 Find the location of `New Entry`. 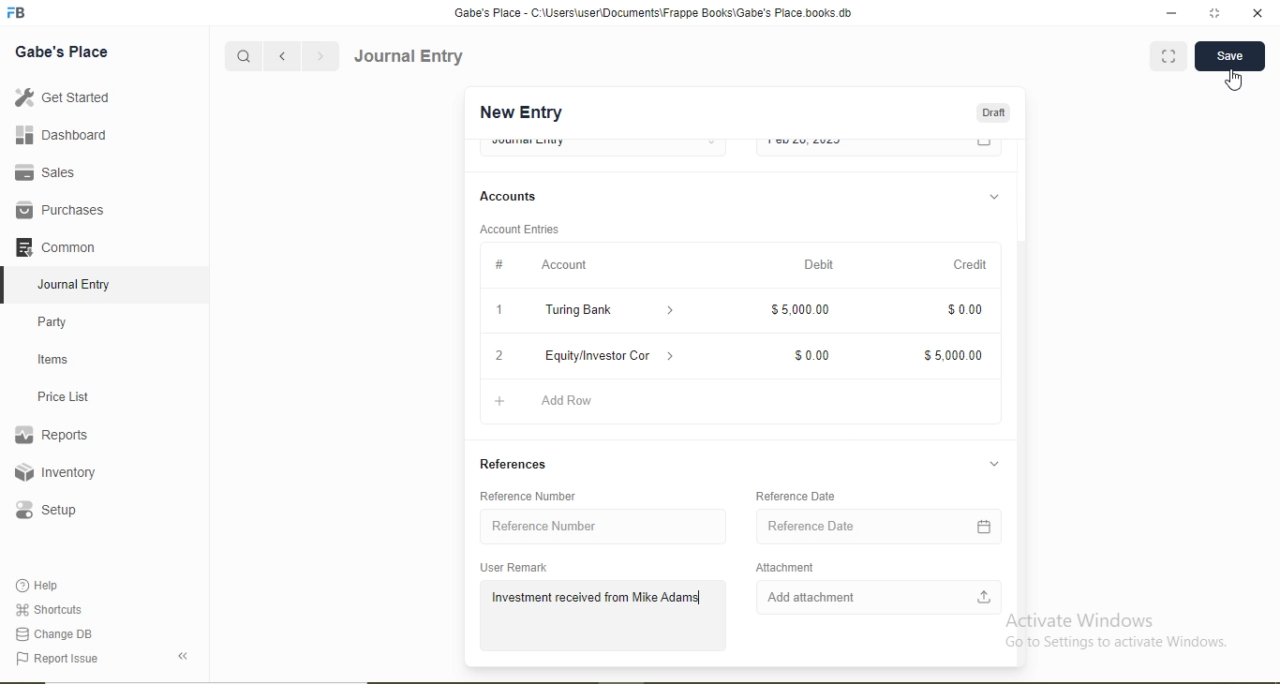

New Entry is located at coordinates (520, 113).